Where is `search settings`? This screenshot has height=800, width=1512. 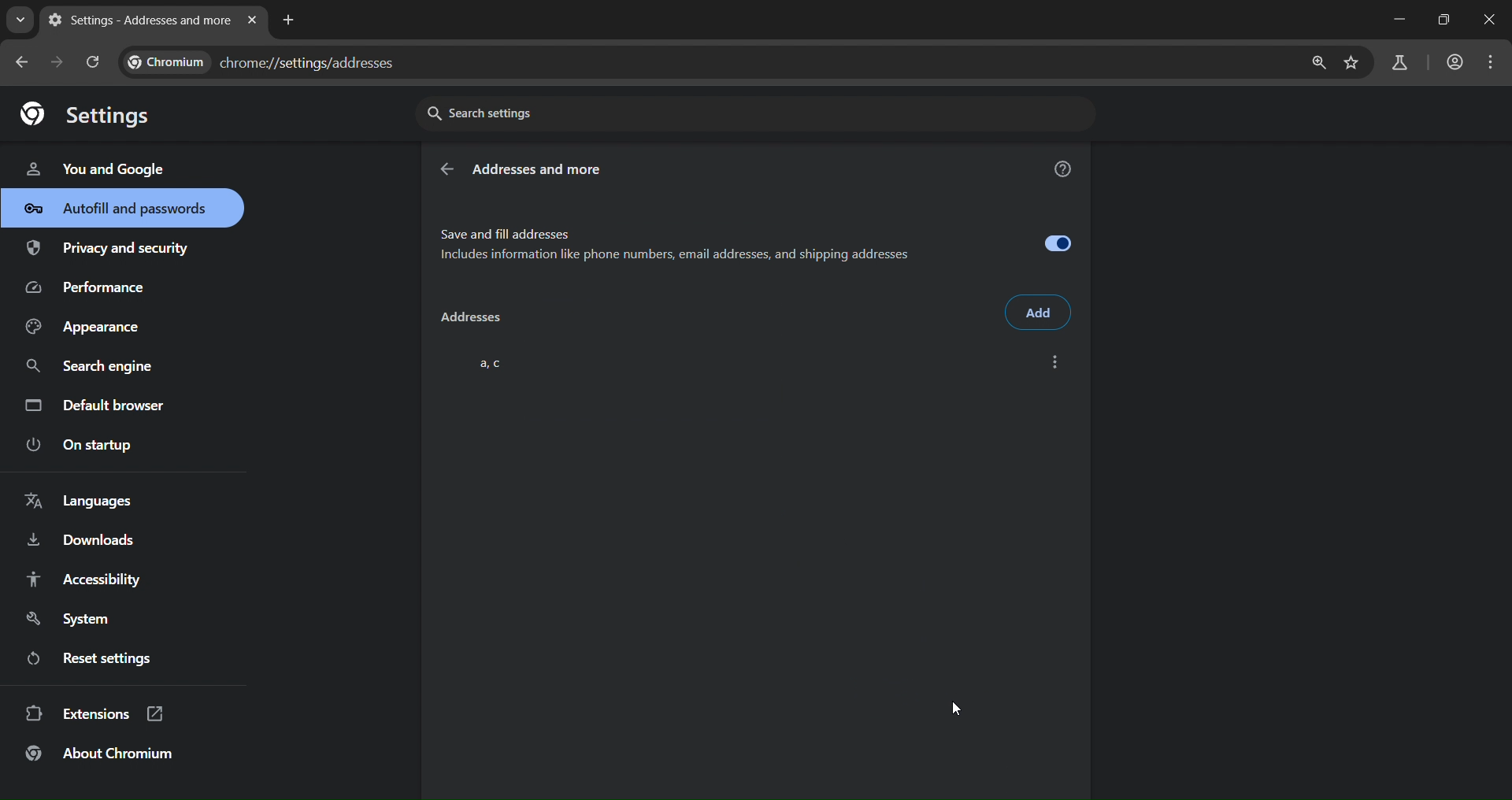
search settings is located at coordinates (563, 112).